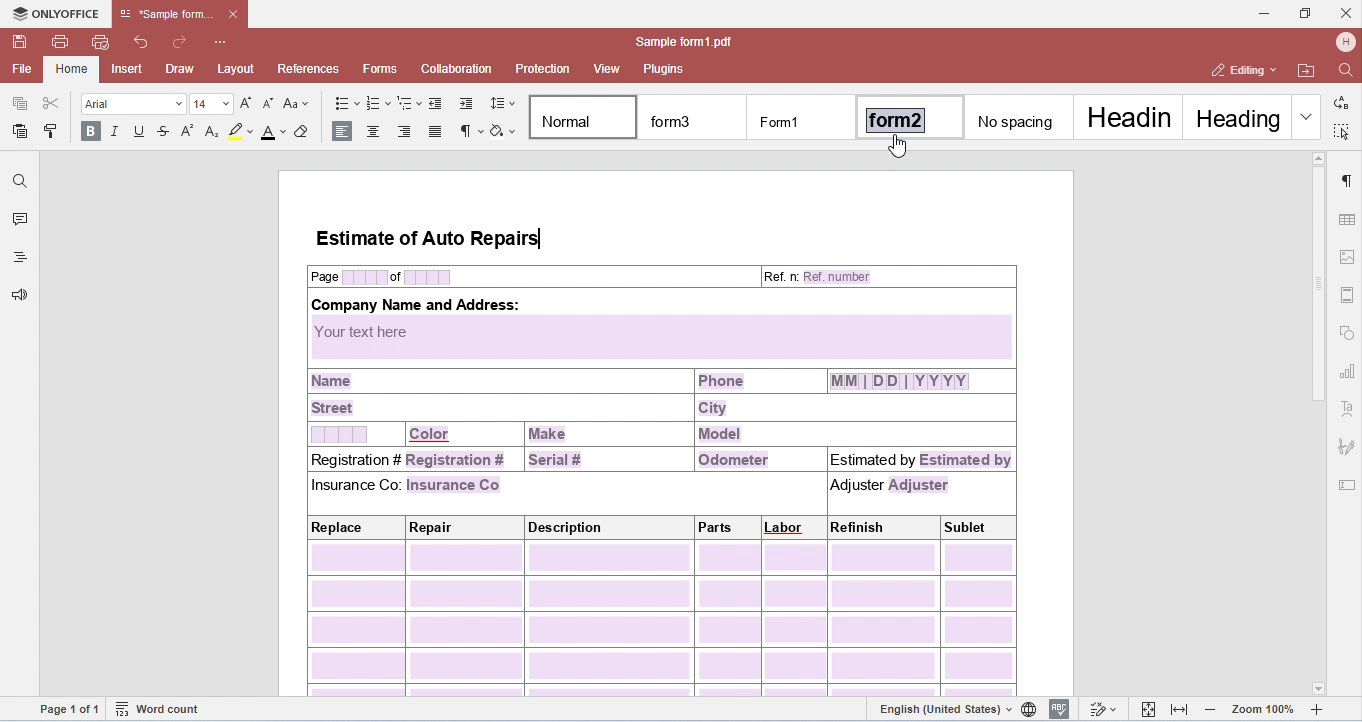  Describe the element at coordinates (345, 104) in the screenshot. I see `bulleted style` at that location.